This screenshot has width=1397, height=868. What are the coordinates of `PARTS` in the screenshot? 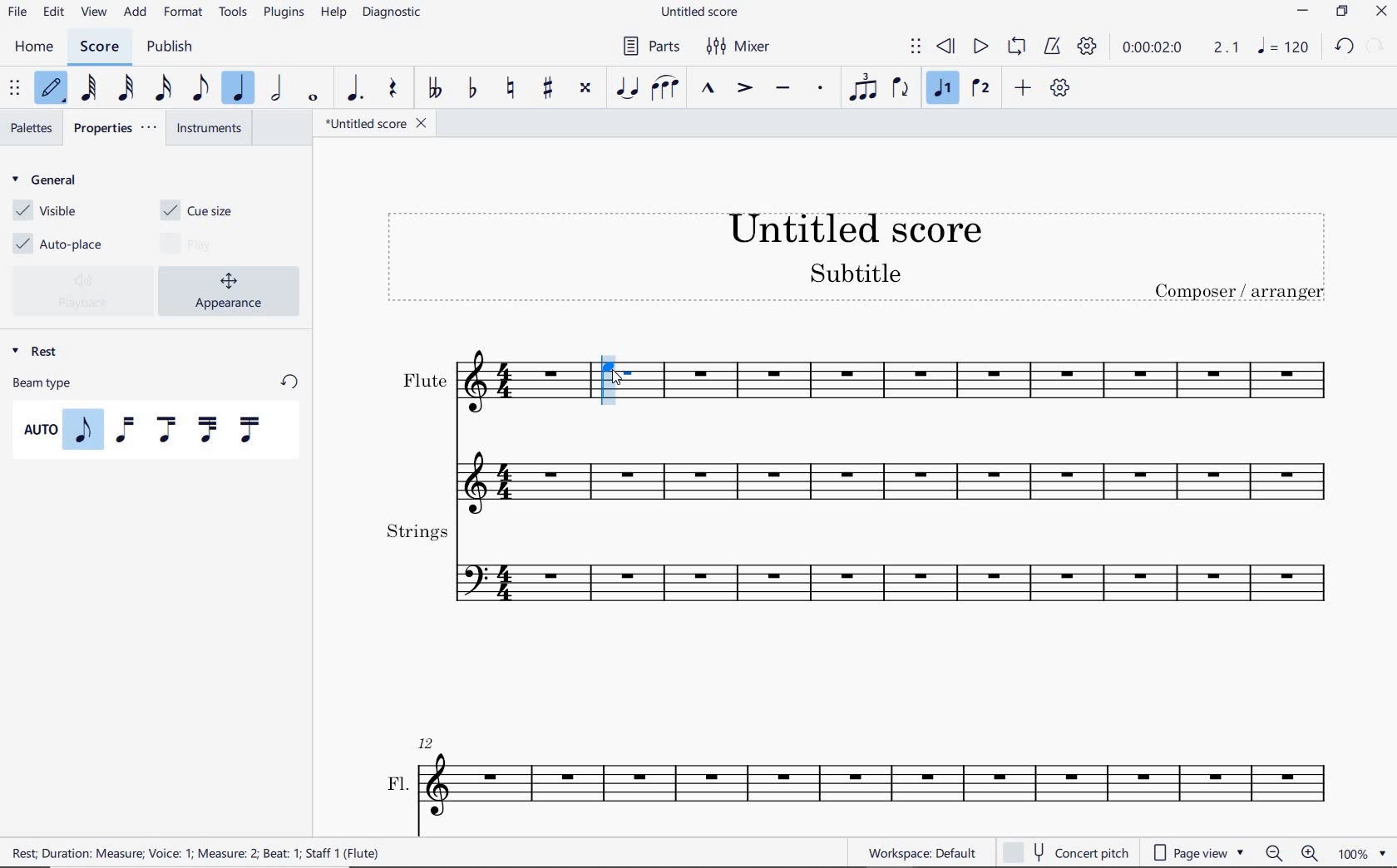 It's located at (654, 47).